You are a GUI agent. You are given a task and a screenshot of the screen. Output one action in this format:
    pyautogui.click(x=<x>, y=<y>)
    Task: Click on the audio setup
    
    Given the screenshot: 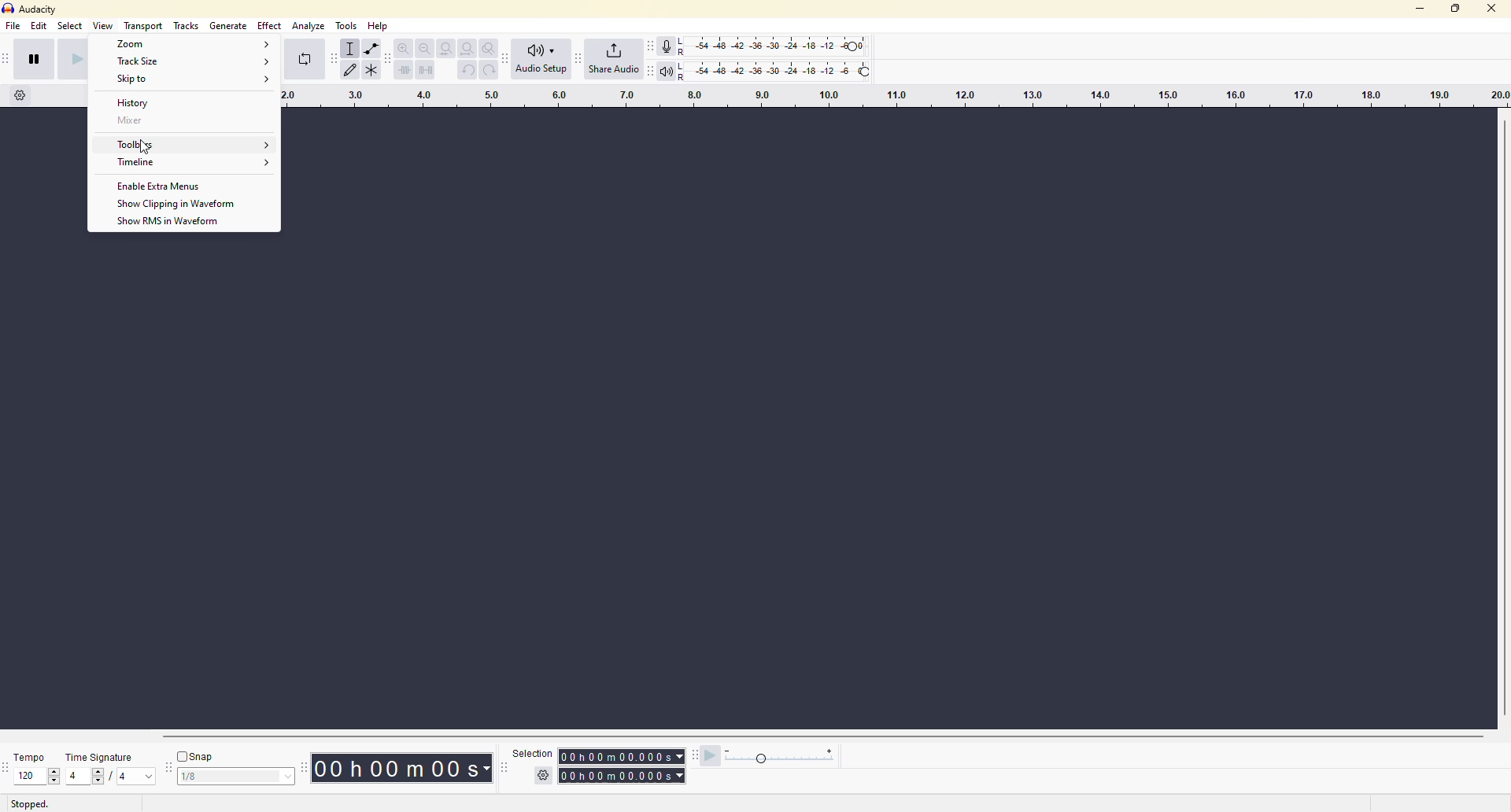 What is the action you would take?
    pyautogui.click(x=542, y=60)
    